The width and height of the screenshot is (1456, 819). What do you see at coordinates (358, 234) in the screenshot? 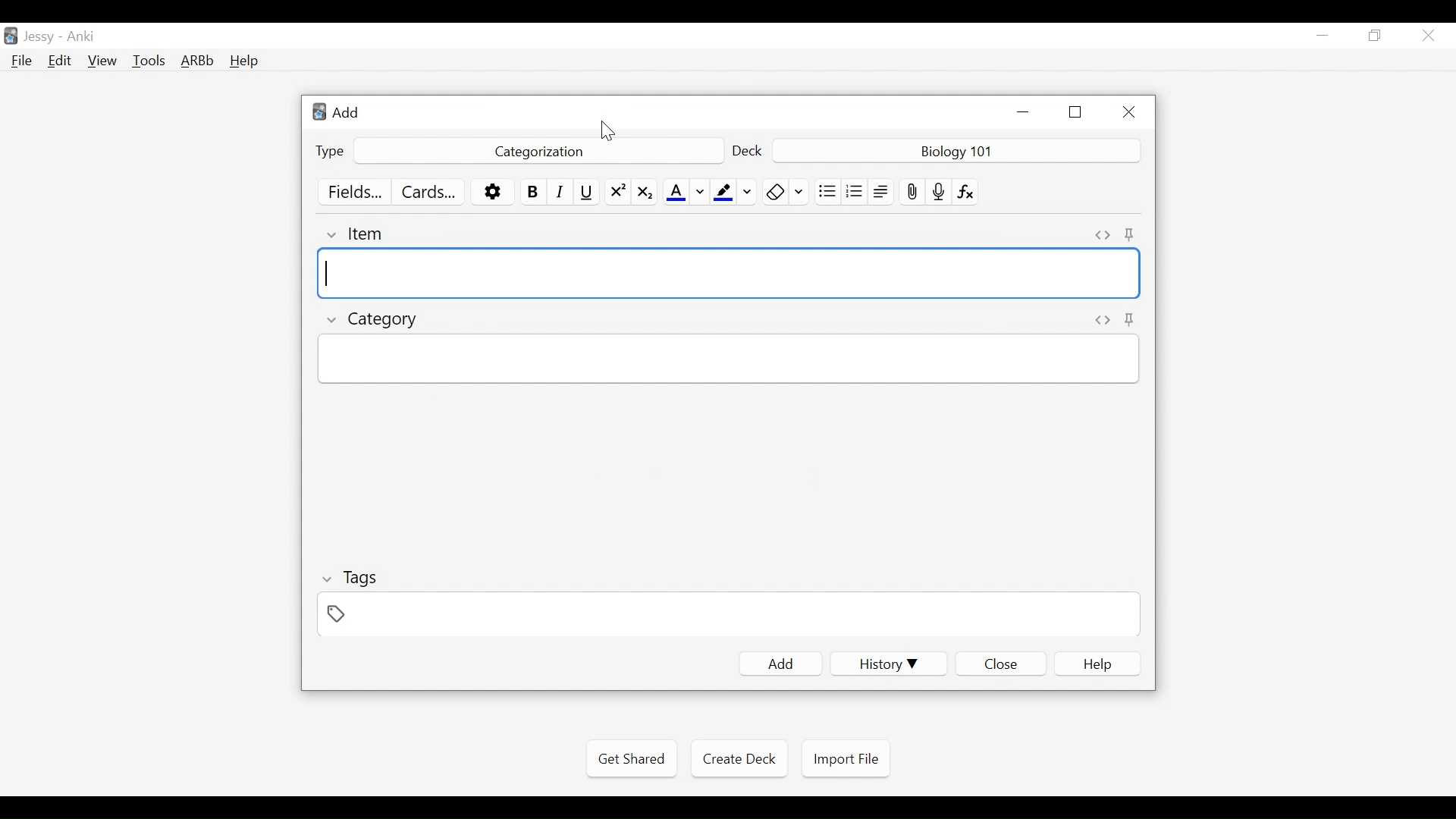
I see `Item` at bounding box center [358, 234].